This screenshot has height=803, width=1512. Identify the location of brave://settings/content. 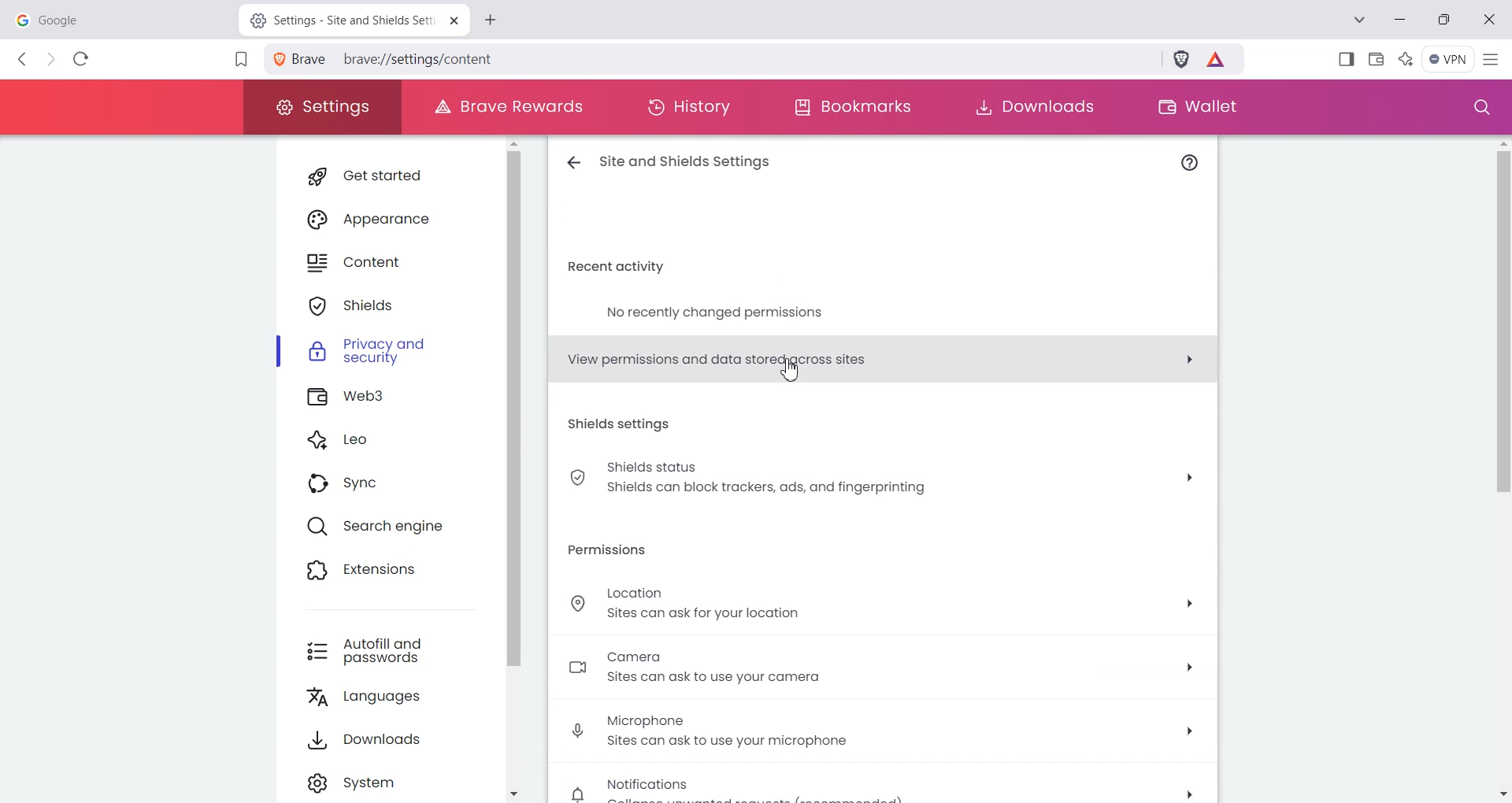
(421, 58).